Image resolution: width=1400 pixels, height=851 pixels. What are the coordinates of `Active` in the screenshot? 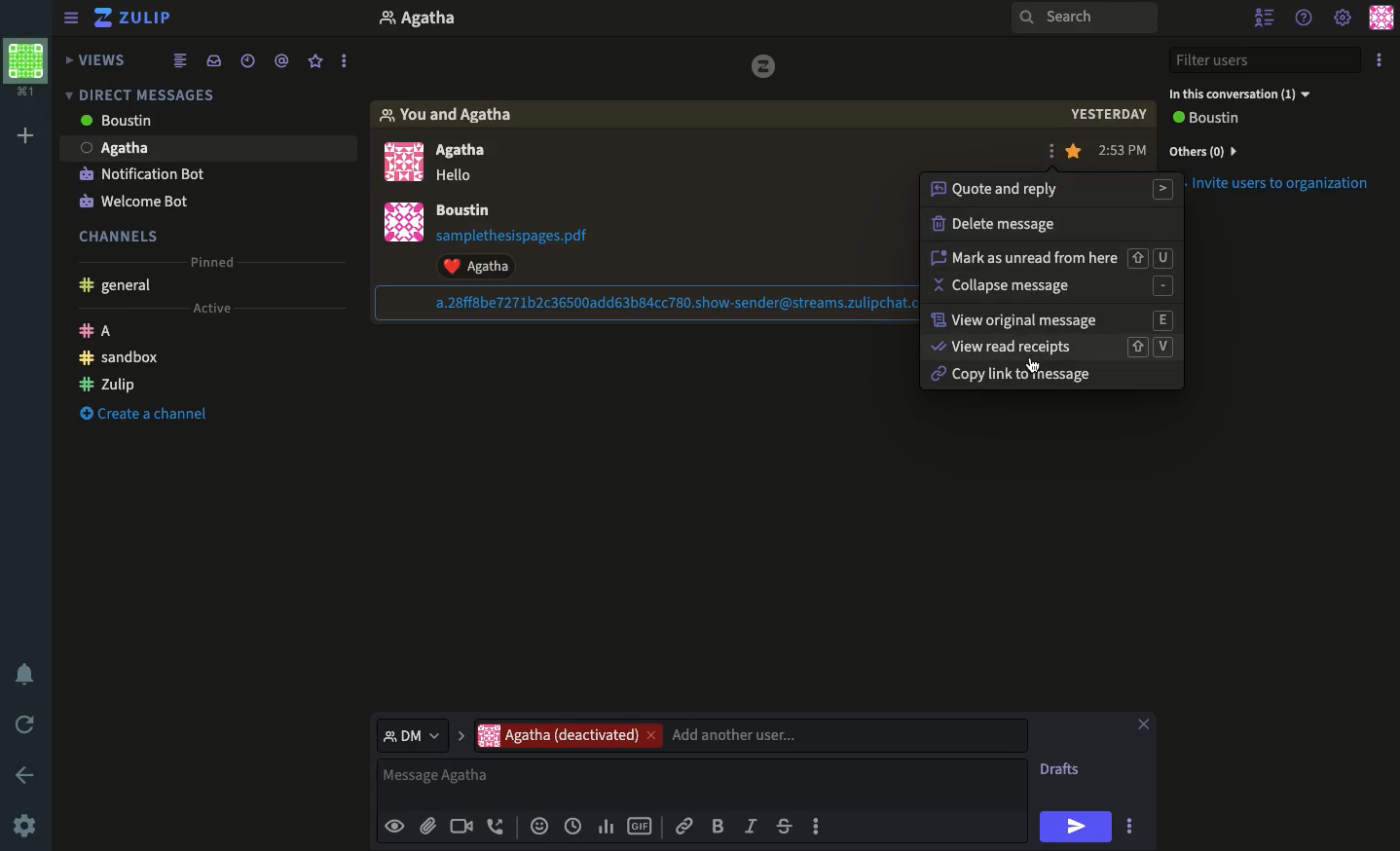 It's located at (209, 309).